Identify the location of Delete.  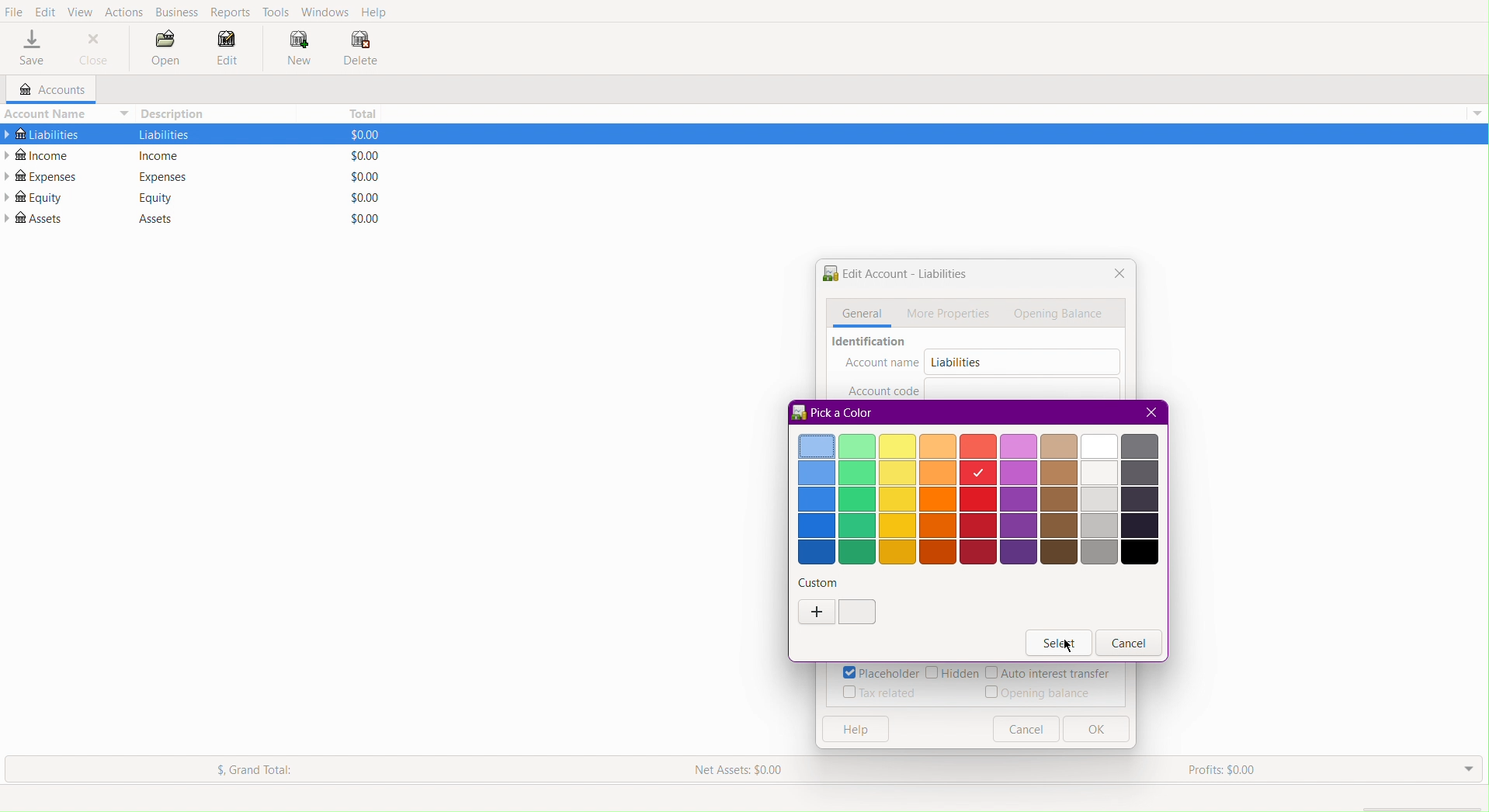
(360, 50).